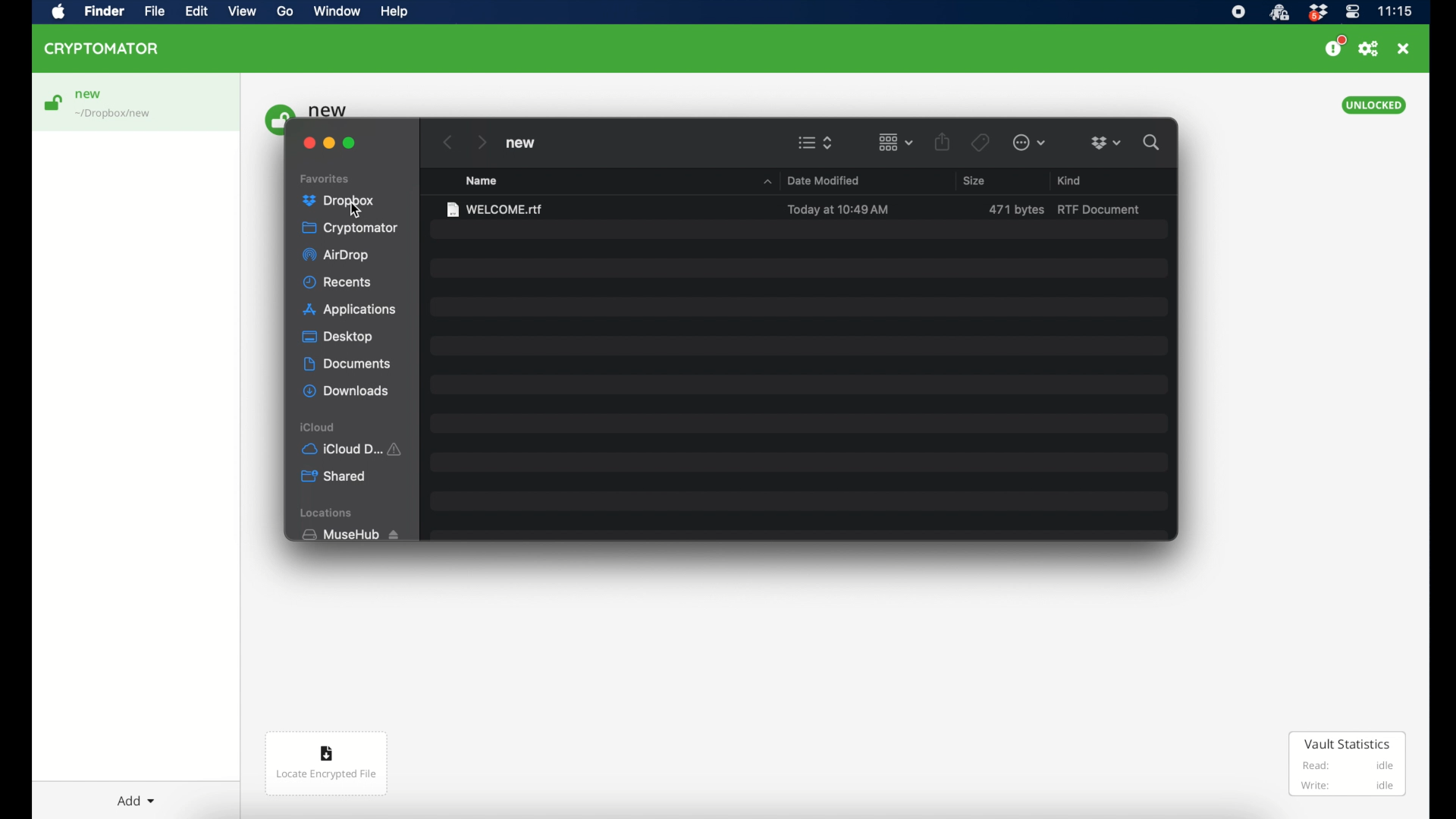 Image resolution: width=1456 pixels, height=819 pixels. What do you see at coordinates (1016, 210) in the screenshot?
I see `size` at bounding box center [1016, 210].